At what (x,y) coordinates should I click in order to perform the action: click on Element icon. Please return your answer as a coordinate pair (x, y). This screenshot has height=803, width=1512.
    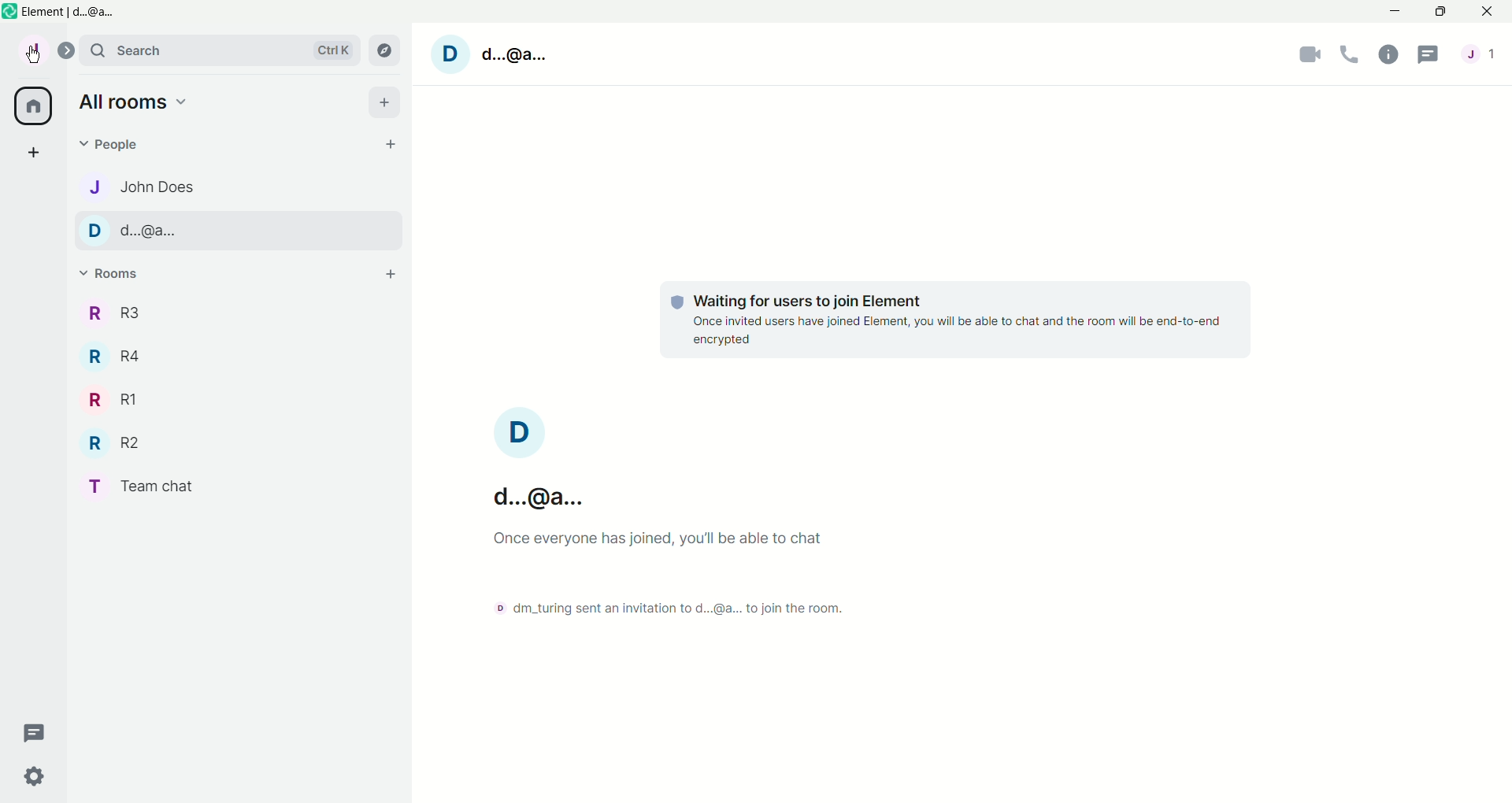
    Looking at the image, I should click on (9, 11).